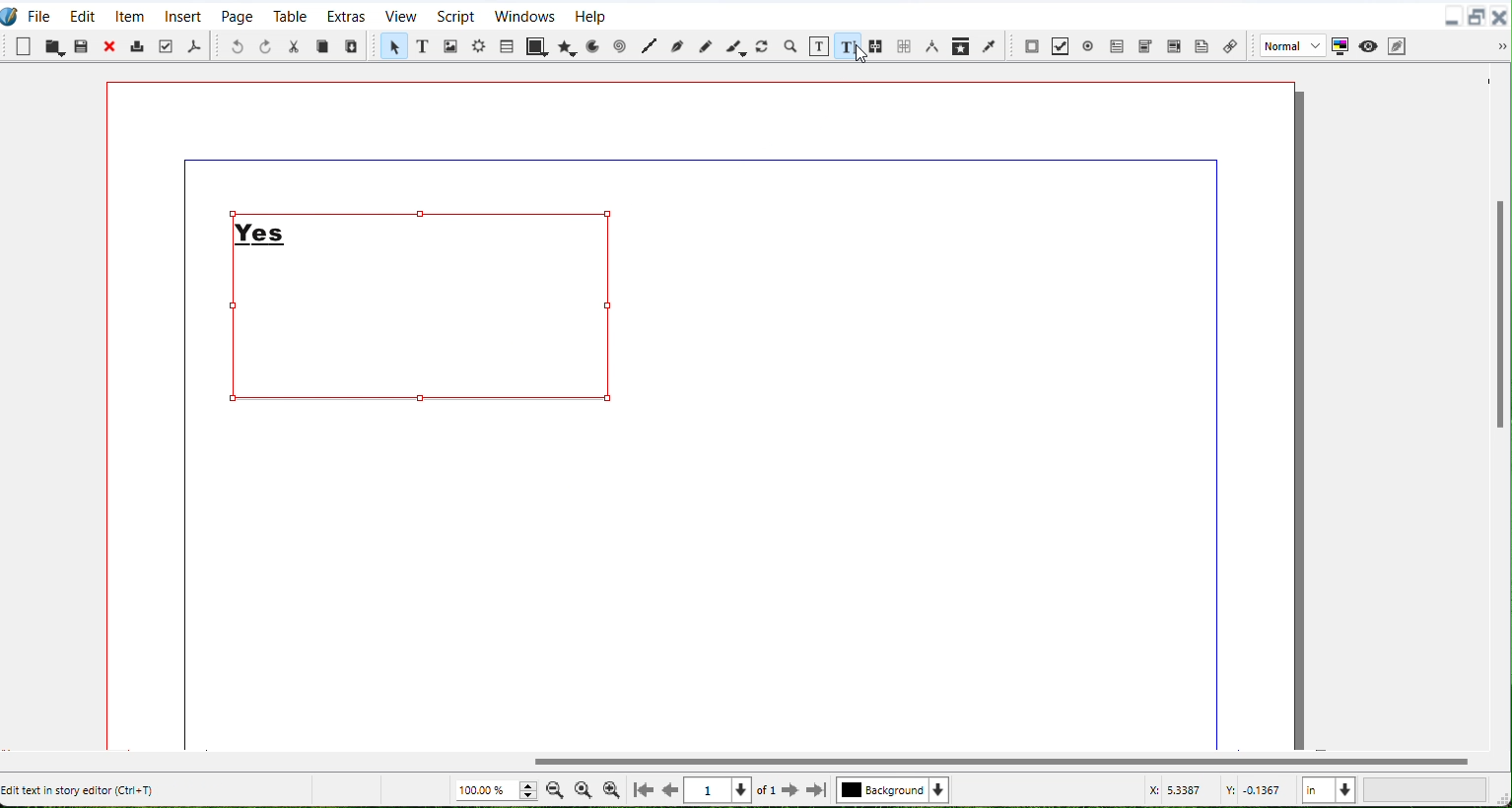 The width and height of the screenshot is (1512, 808). I want to click on Edit content, so click(820, 45).